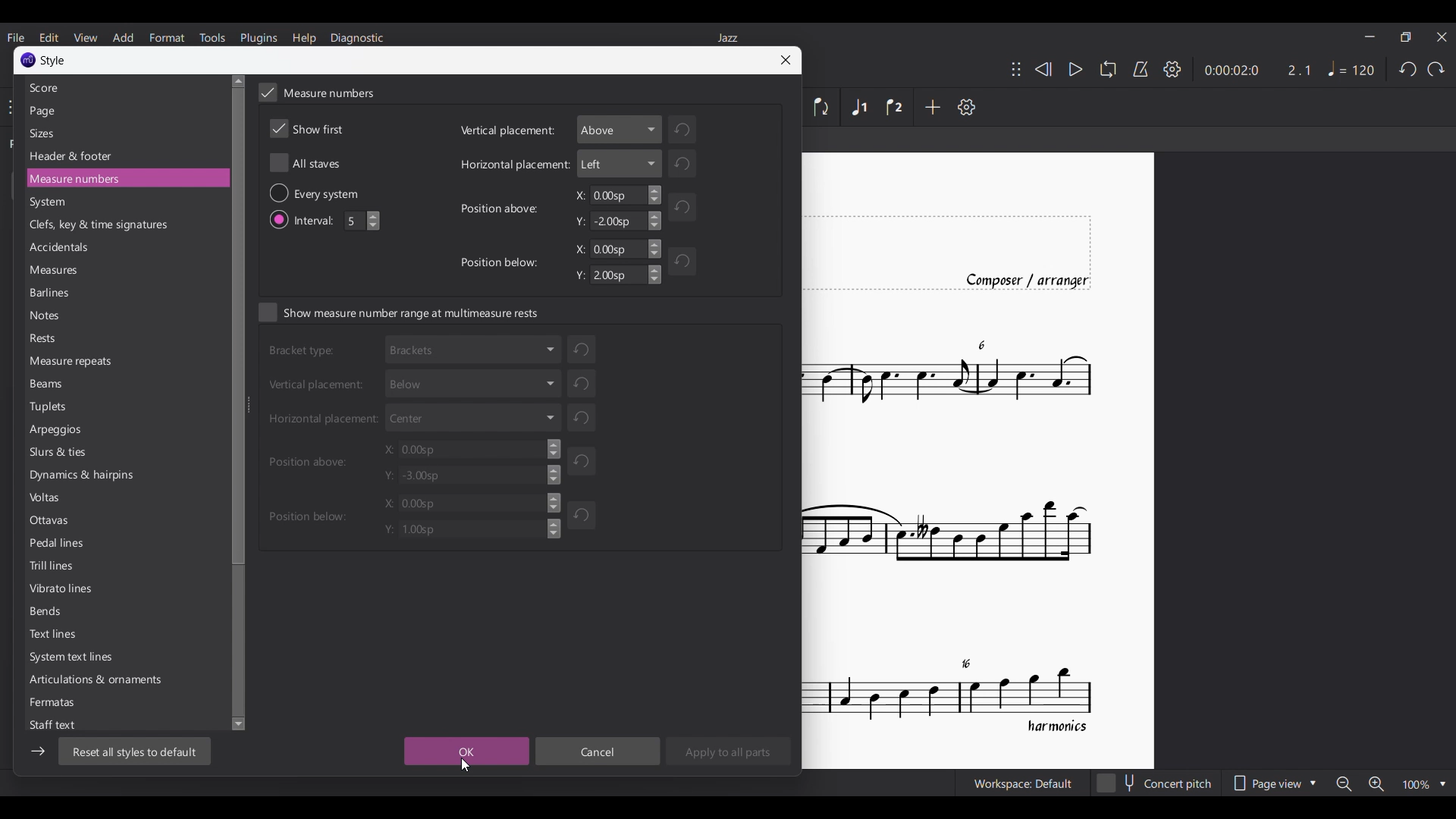  What do you see at coordinates (87, 477) in the screenshot?
I see `Dynamic` at bounding box center [87, 477].